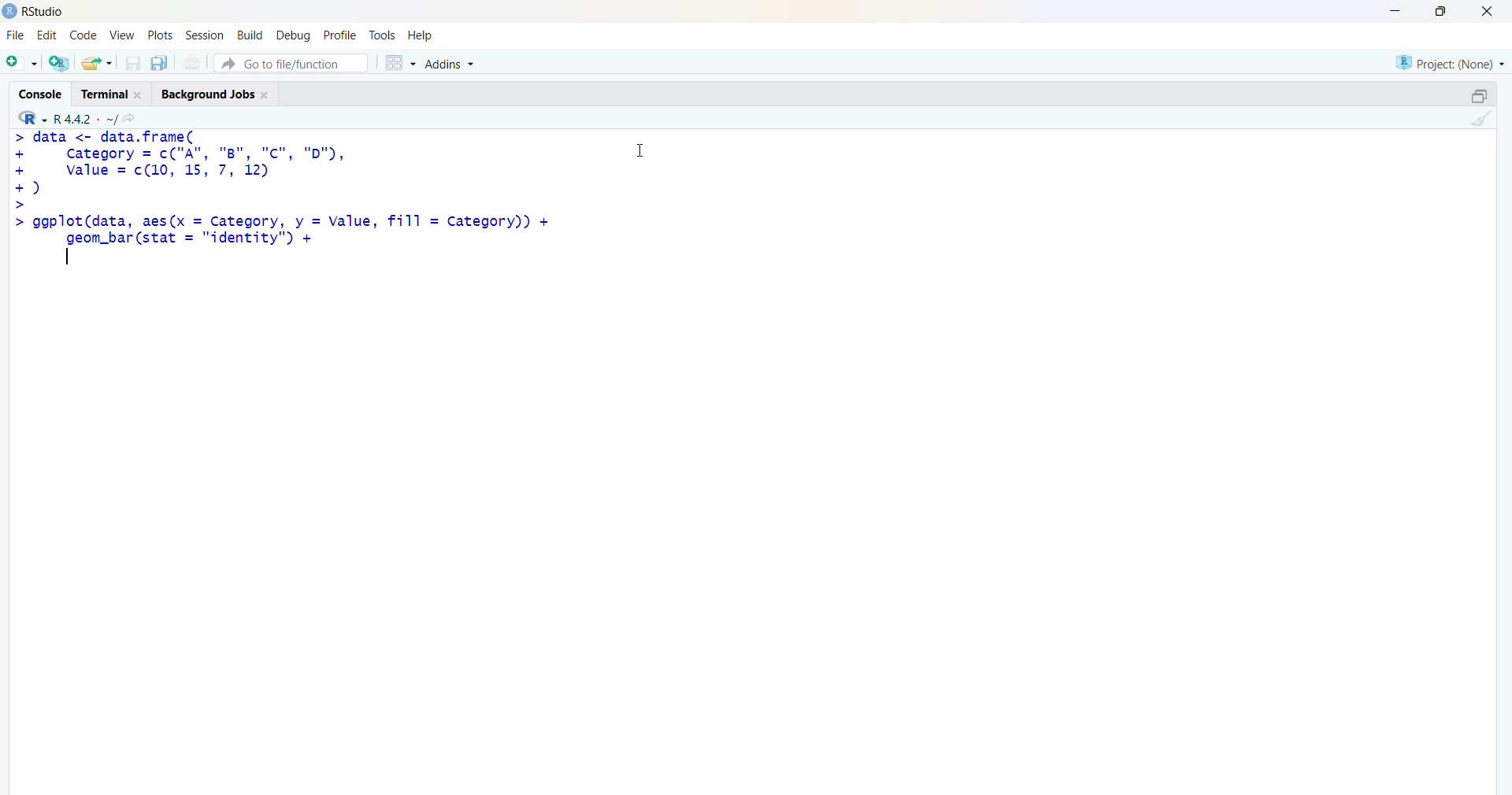  What do you see at coordinates (423, 35) in the screenshot?
I see `help` at bounding box center [423, 35].